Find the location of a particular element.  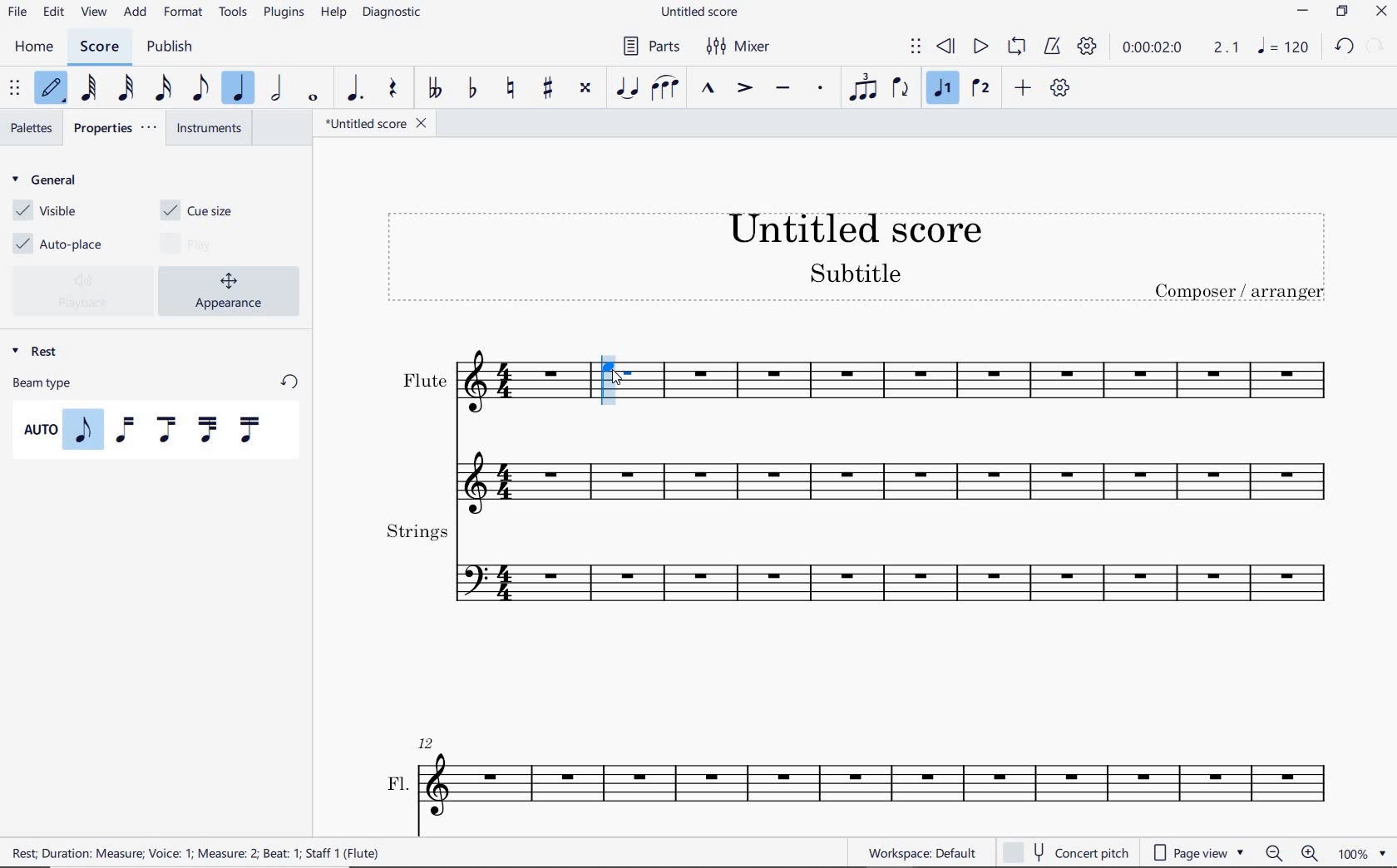

MARCATO is located at coordinates (708, 90).